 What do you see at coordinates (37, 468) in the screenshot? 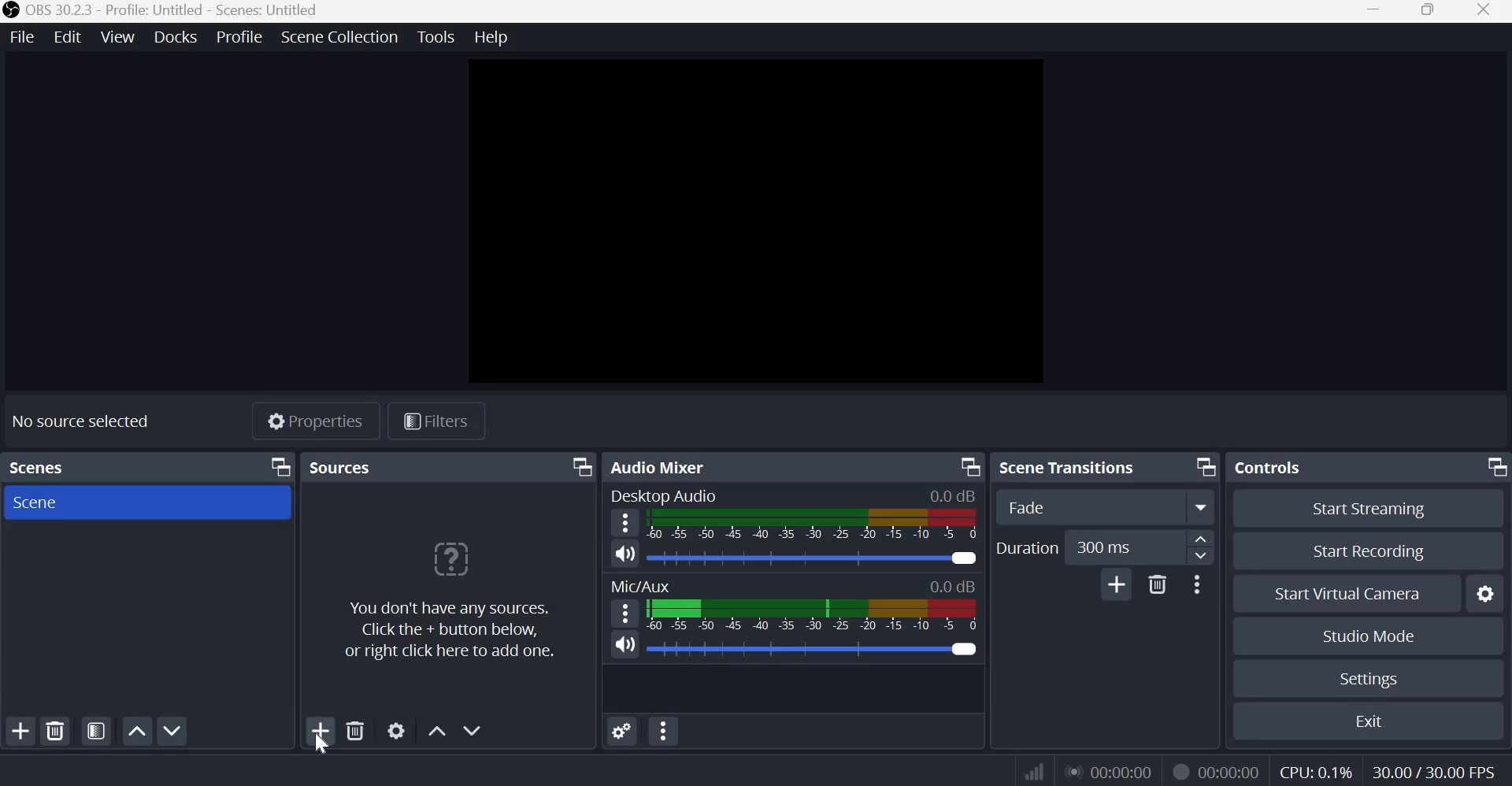
I see `Scenes` at bounding box center [37, 468].